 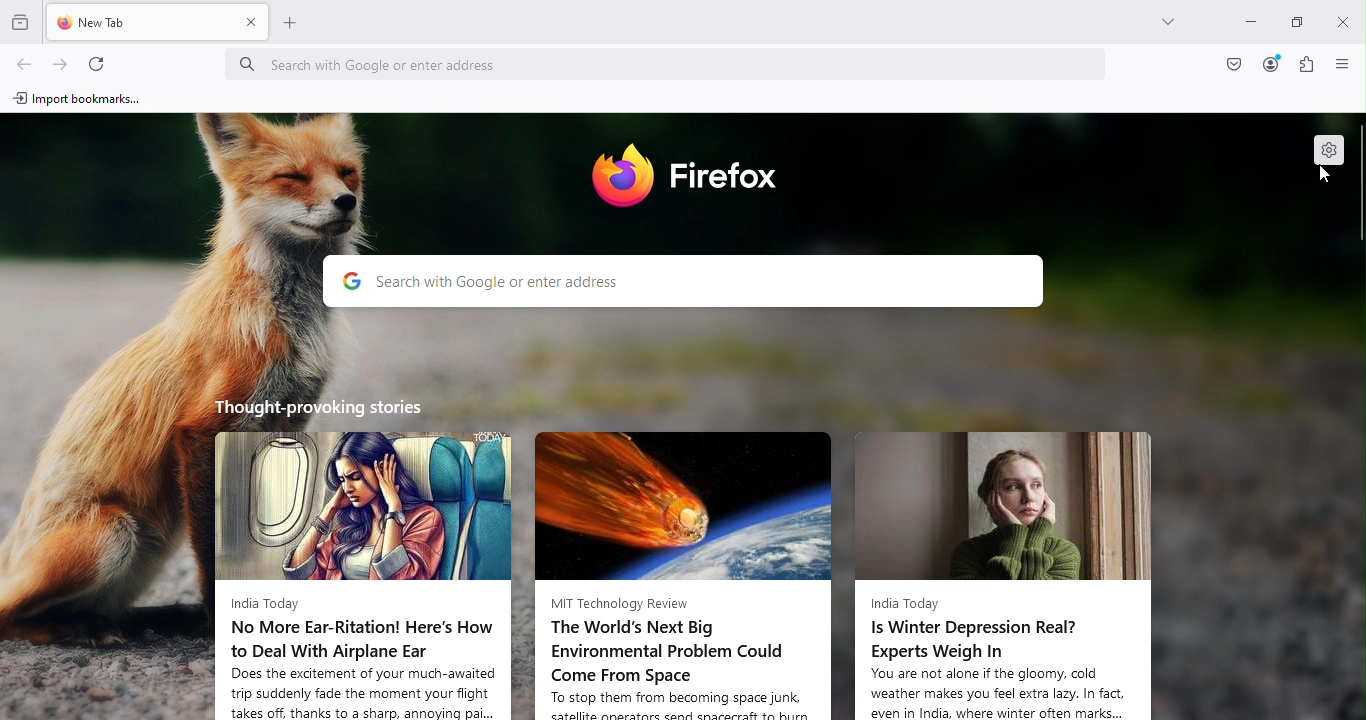 I want to click on Add a new tab, so click(x=295, y=28).